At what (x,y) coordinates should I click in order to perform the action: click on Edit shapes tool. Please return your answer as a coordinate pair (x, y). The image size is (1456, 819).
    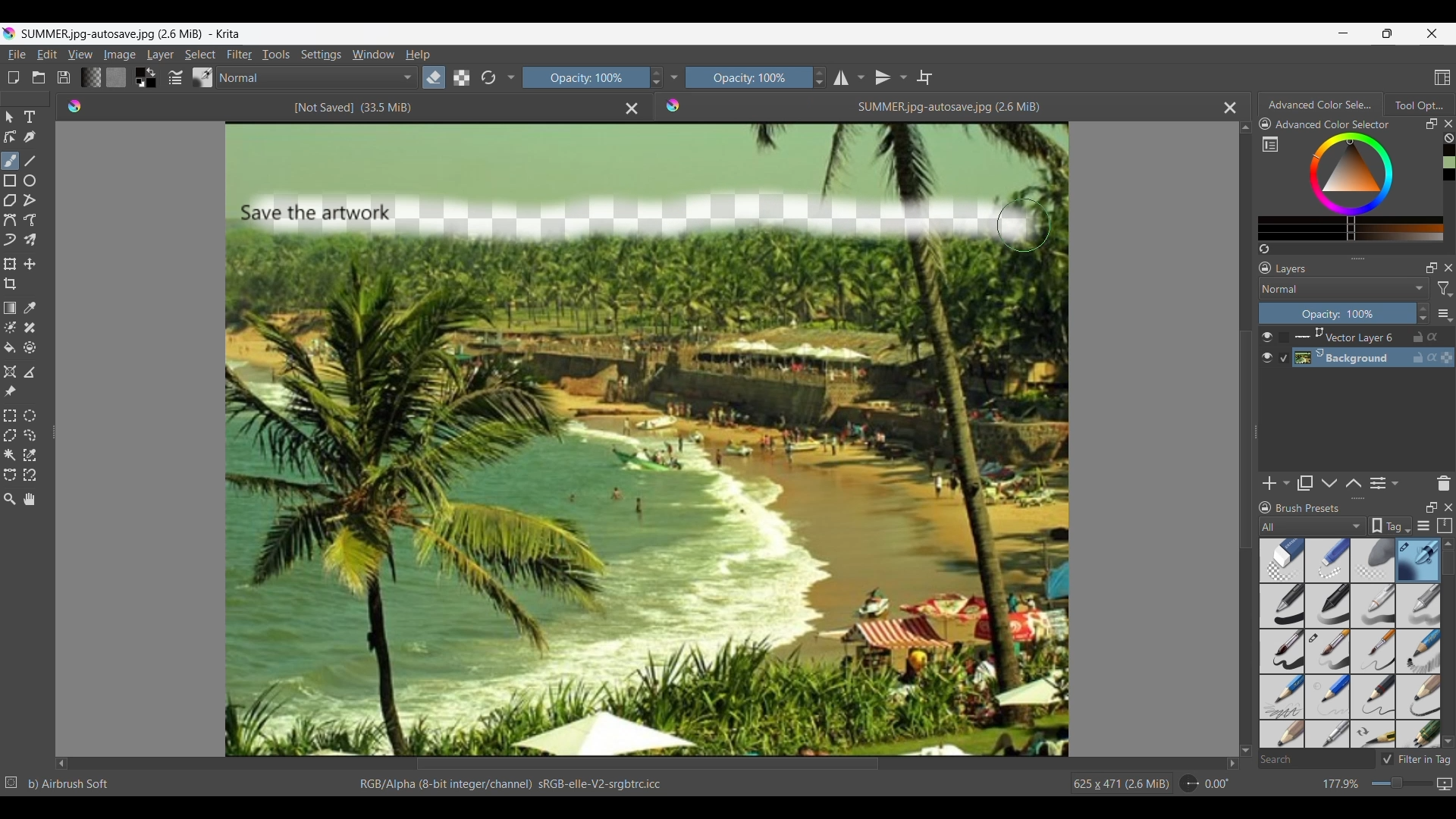
    Looking at the image, I should click on (11, 136).